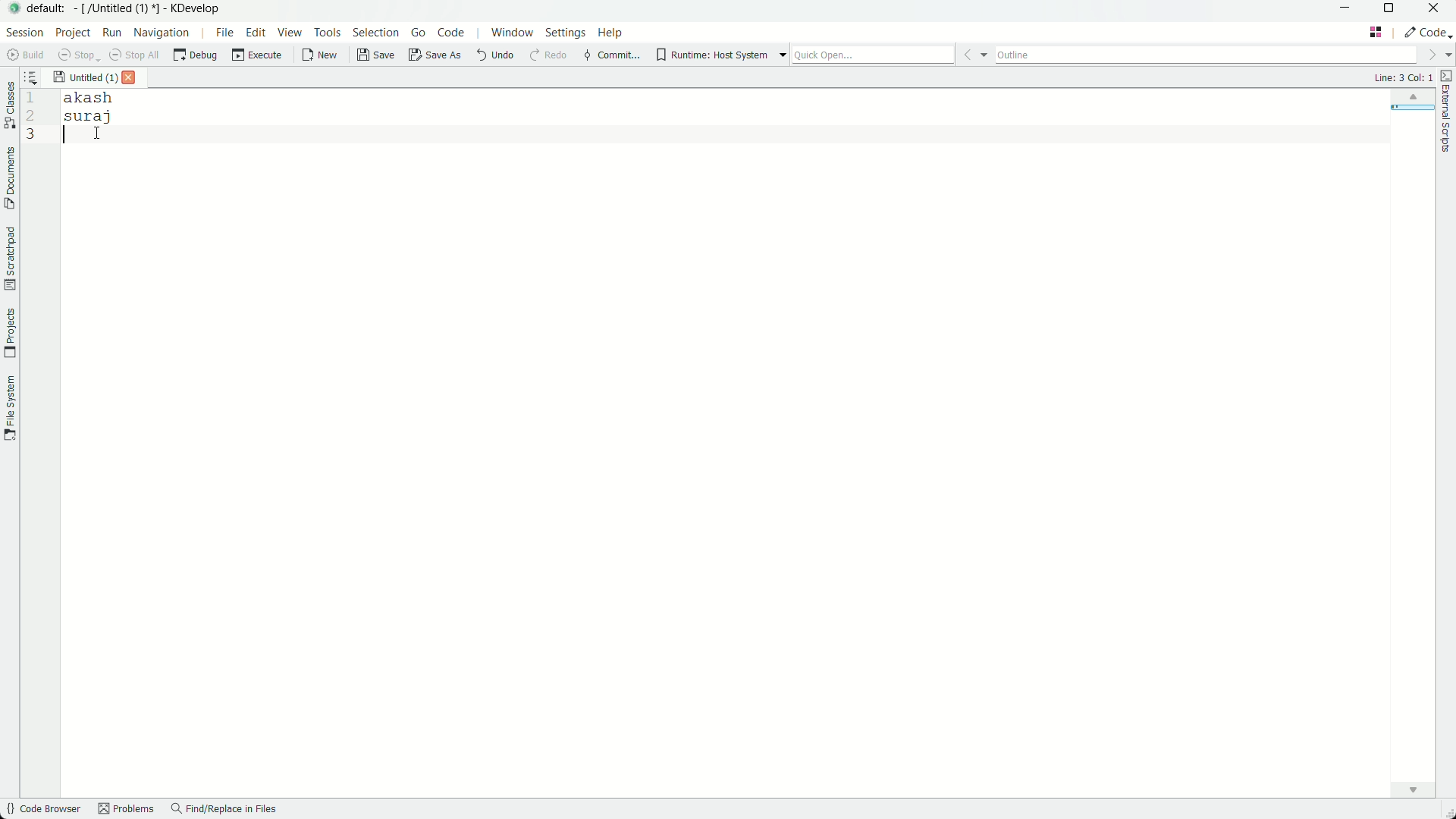 This screenshot has height=819, width=1456. Describe the element at coordinates (1437, 10) in the screenshot. I see `close app` at that location.